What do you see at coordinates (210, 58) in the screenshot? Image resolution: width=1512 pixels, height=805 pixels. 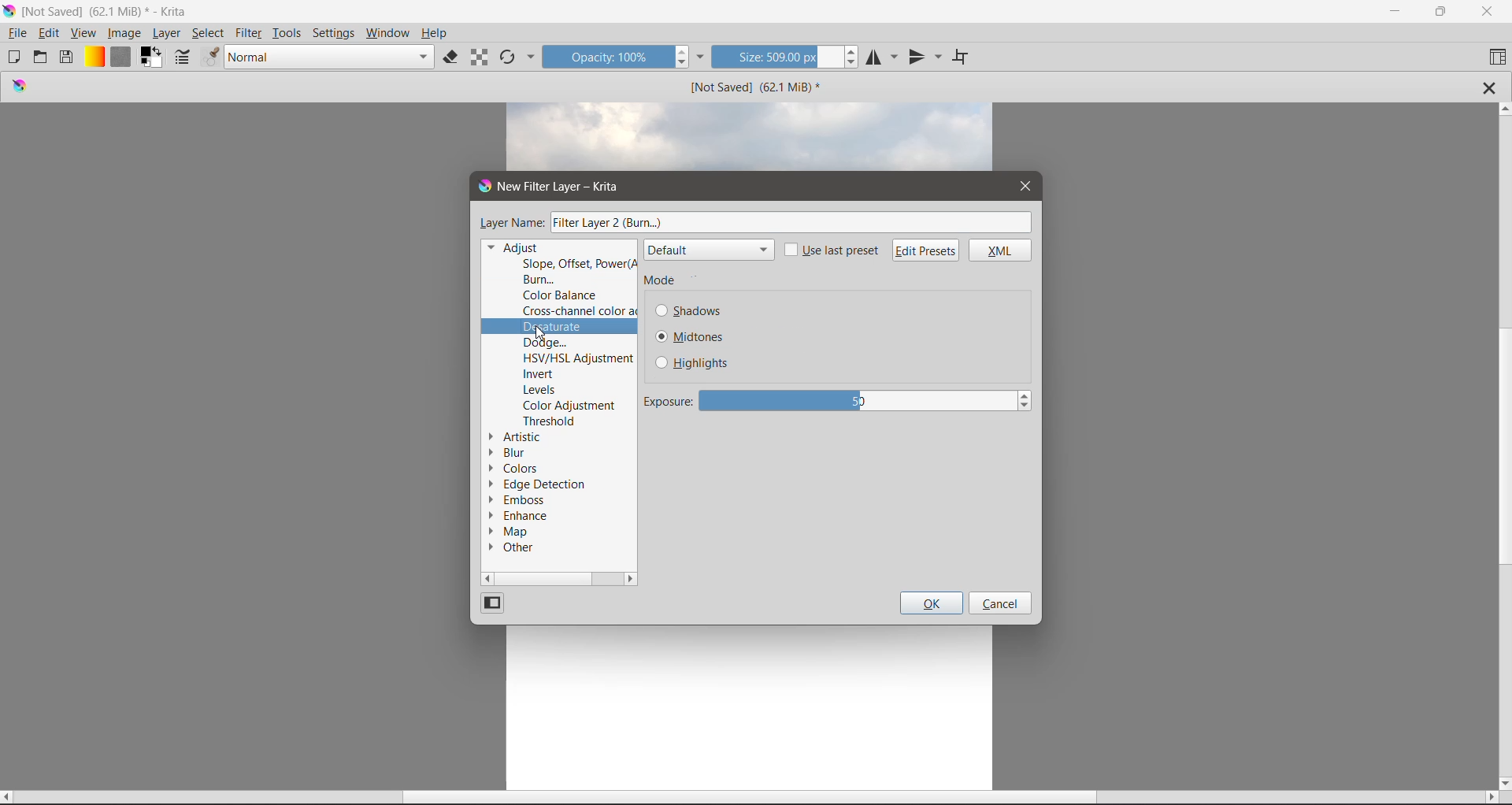 I see `Choose brush presets` at bounding box center [210, 58].